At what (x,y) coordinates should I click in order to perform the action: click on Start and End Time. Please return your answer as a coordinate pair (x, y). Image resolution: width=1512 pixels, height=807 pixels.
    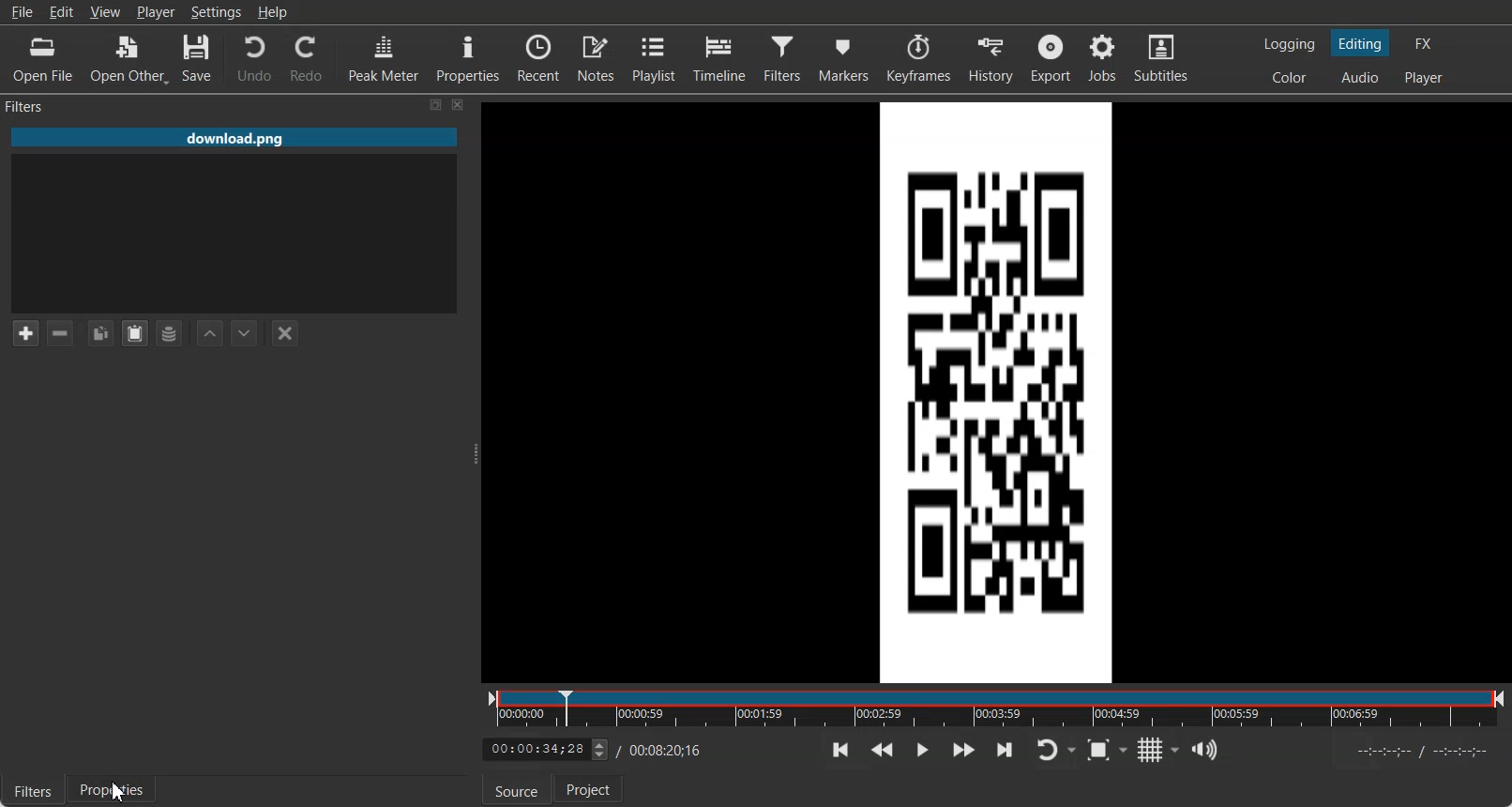
    Looking at the image, I should click on (1426, 751).